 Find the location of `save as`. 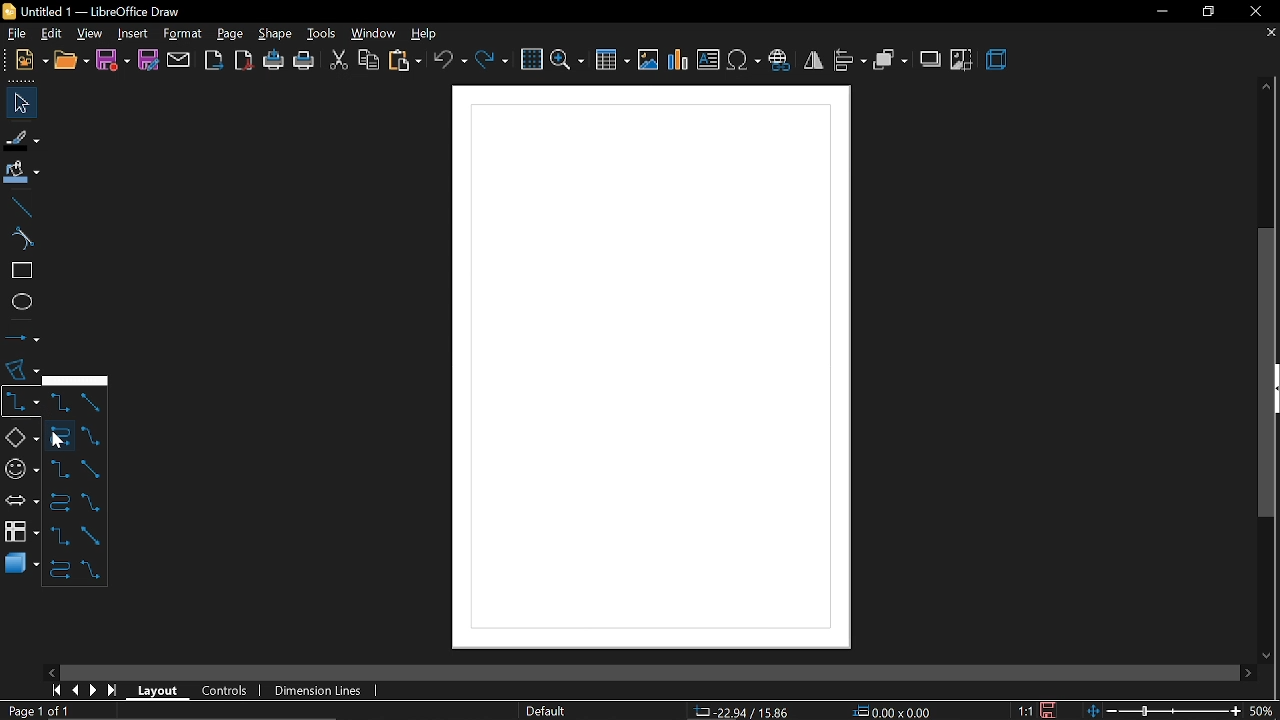

save as is located at coordinates (147, 60).